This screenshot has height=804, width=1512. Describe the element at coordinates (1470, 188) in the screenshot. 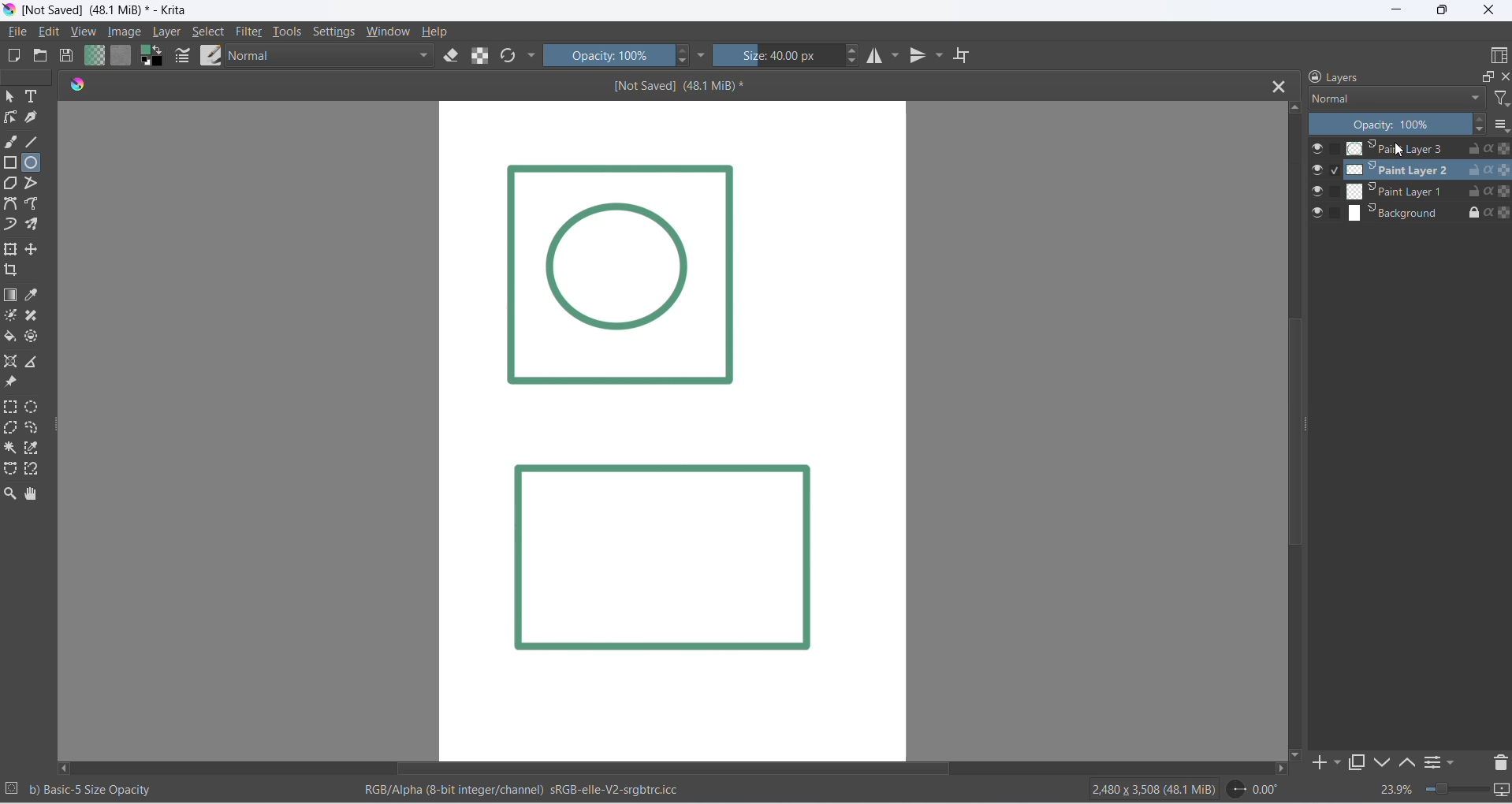

I see `unlock` at that location.